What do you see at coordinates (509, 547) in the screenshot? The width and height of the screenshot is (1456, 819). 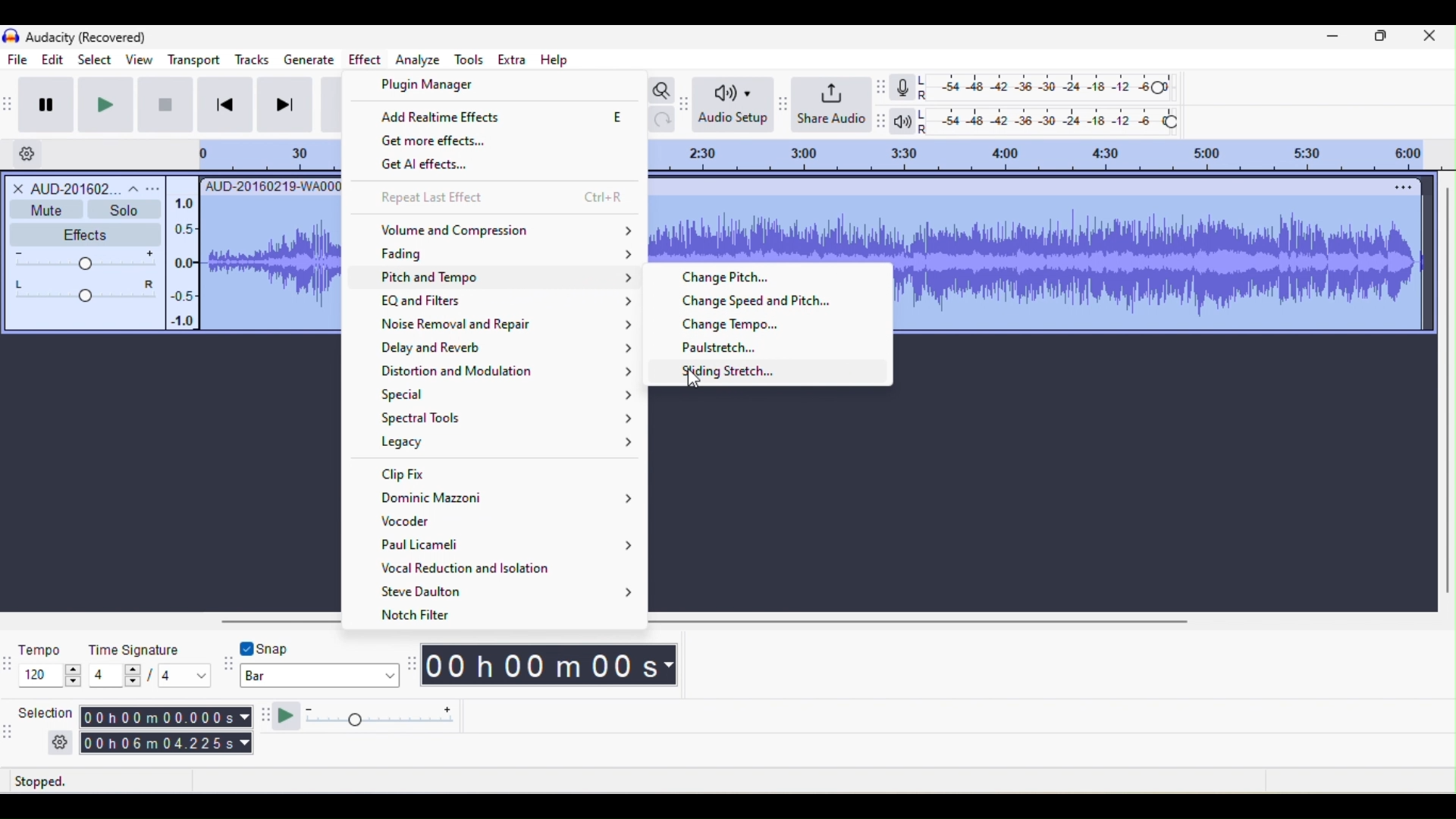 I see `paul licameli` at bounding box center [509, 547].